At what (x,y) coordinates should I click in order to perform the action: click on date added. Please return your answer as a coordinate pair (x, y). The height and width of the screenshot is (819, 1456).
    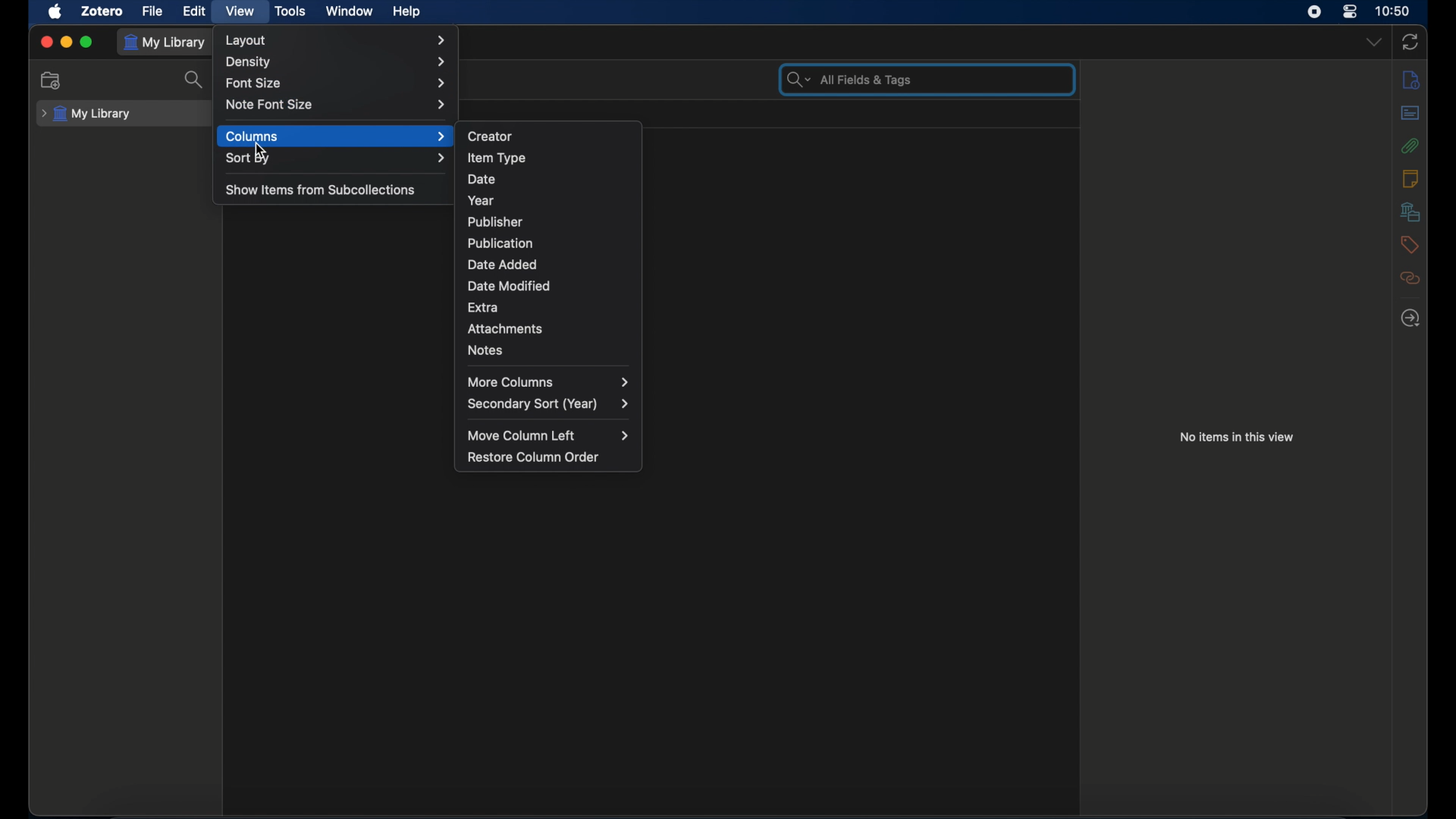
    Looking at the image, I should click on (501, 264).